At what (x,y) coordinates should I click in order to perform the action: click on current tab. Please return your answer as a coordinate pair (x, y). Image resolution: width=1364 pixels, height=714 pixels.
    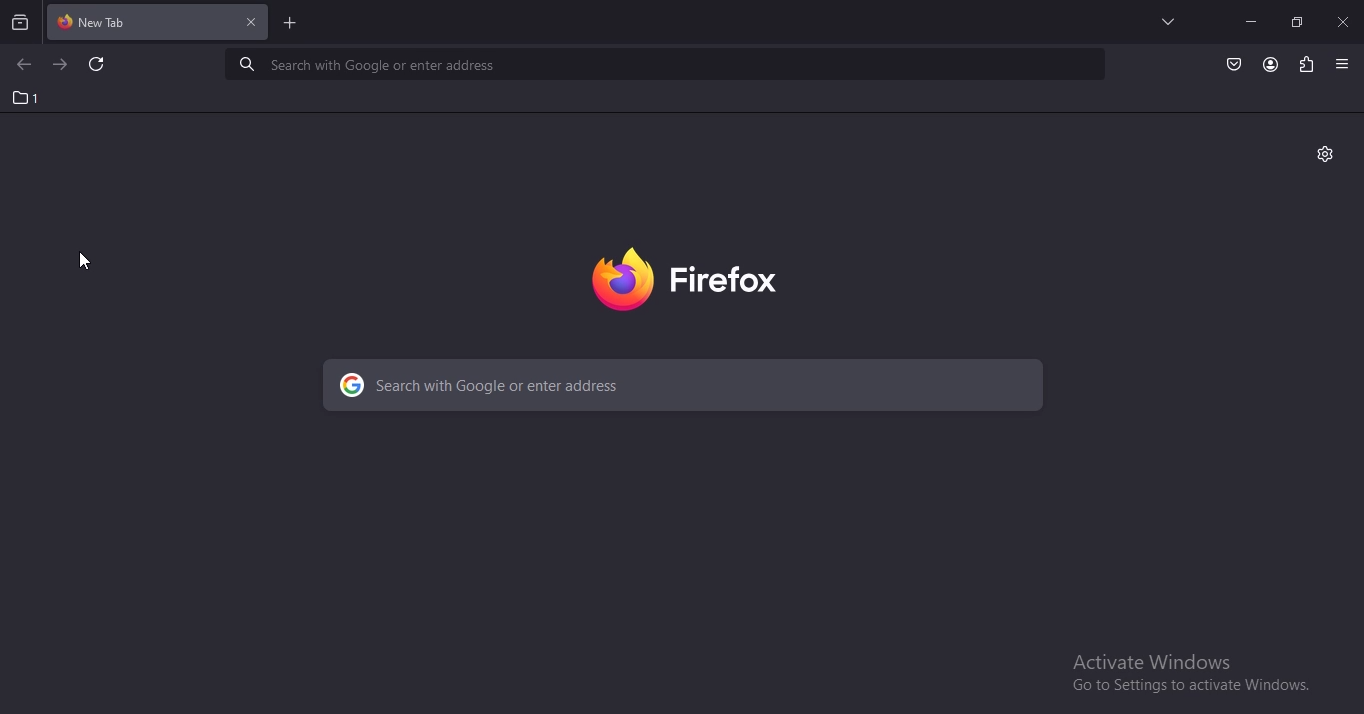
    Looking at the image, I should click on (131, 21).